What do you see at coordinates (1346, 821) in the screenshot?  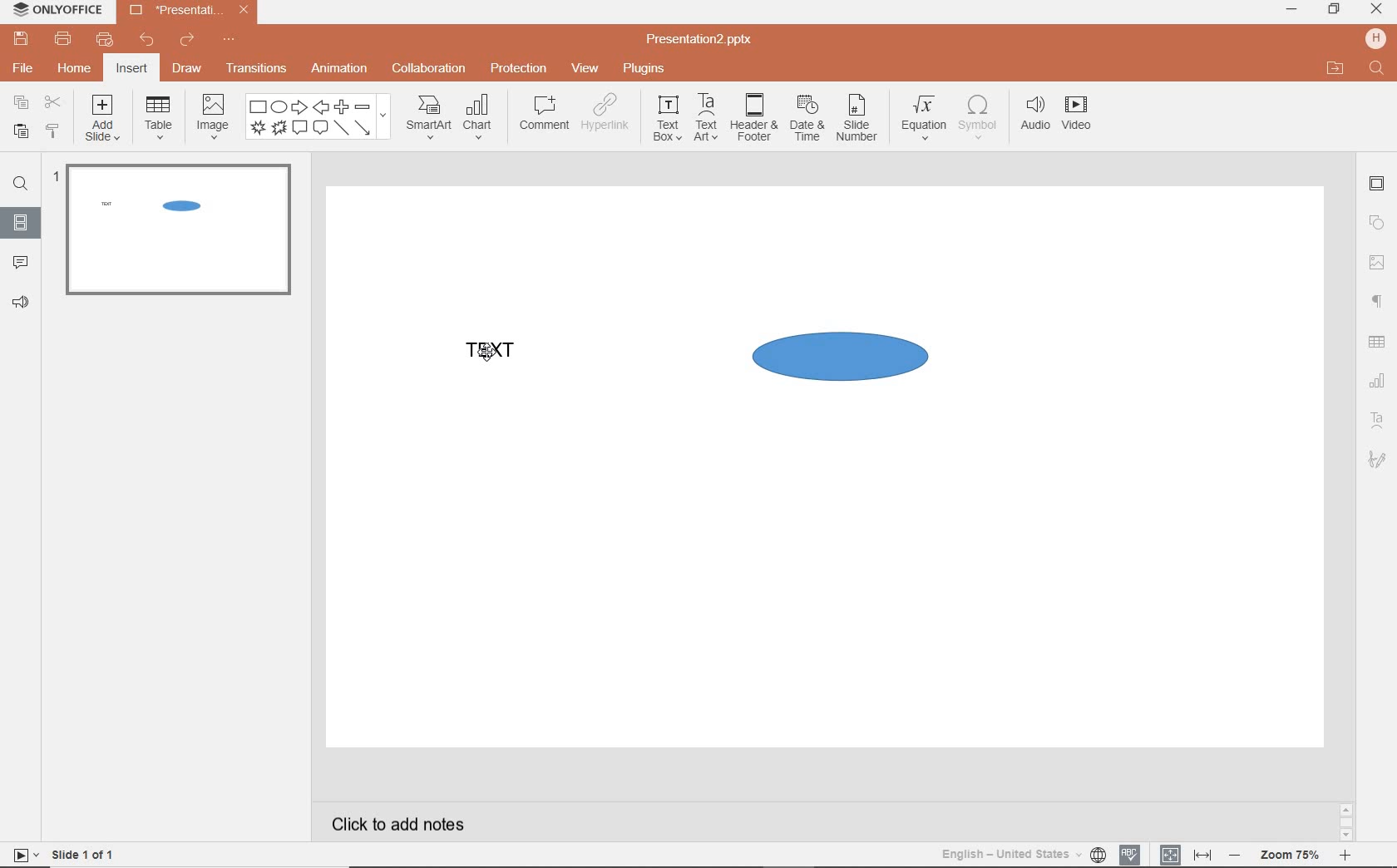 I see `SCROLLBAR` at bounding box center [1346, 821].